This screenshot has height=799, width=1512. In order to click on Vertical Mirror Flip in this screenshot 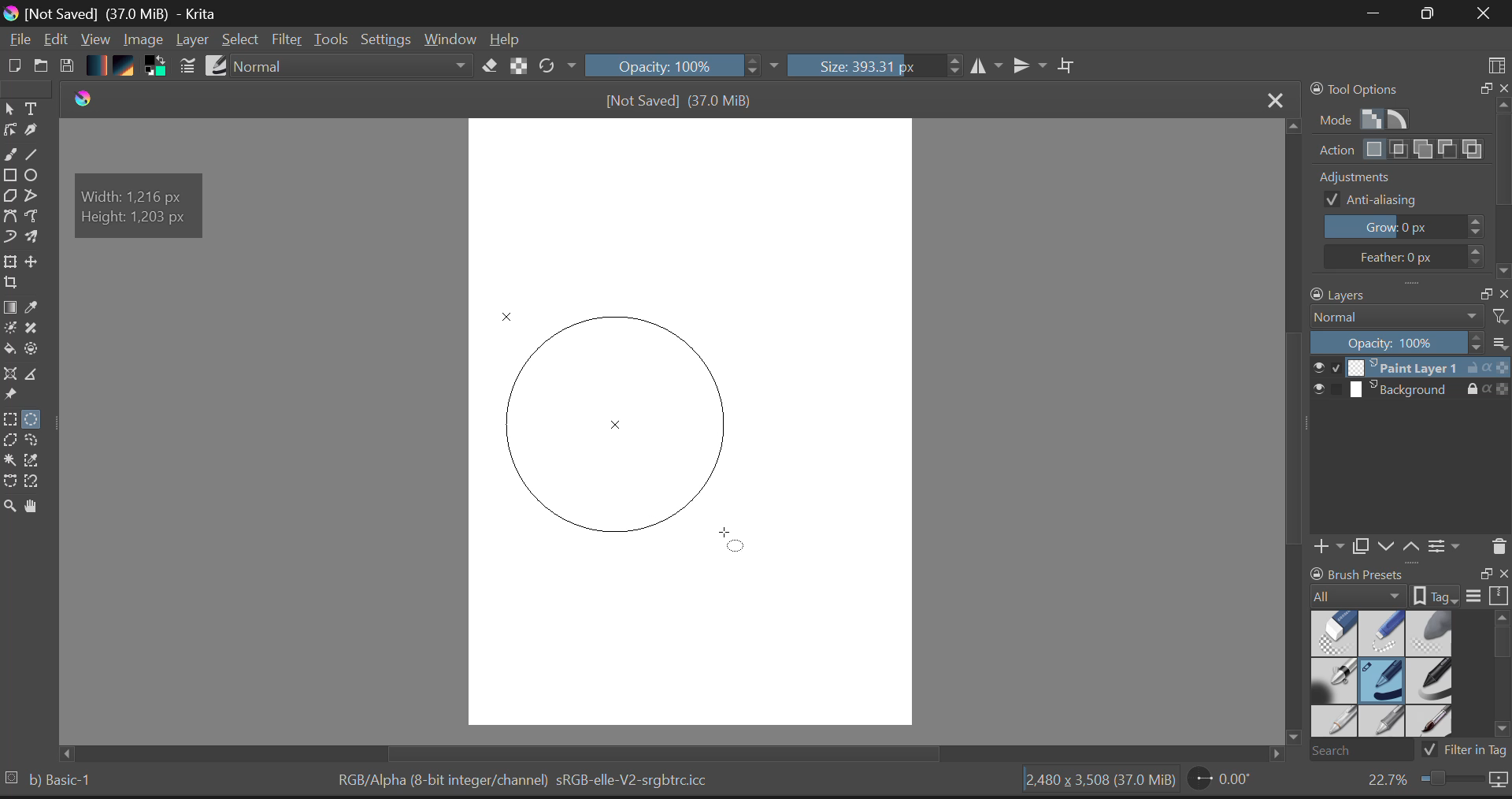, I will do `click(988, 67)`.